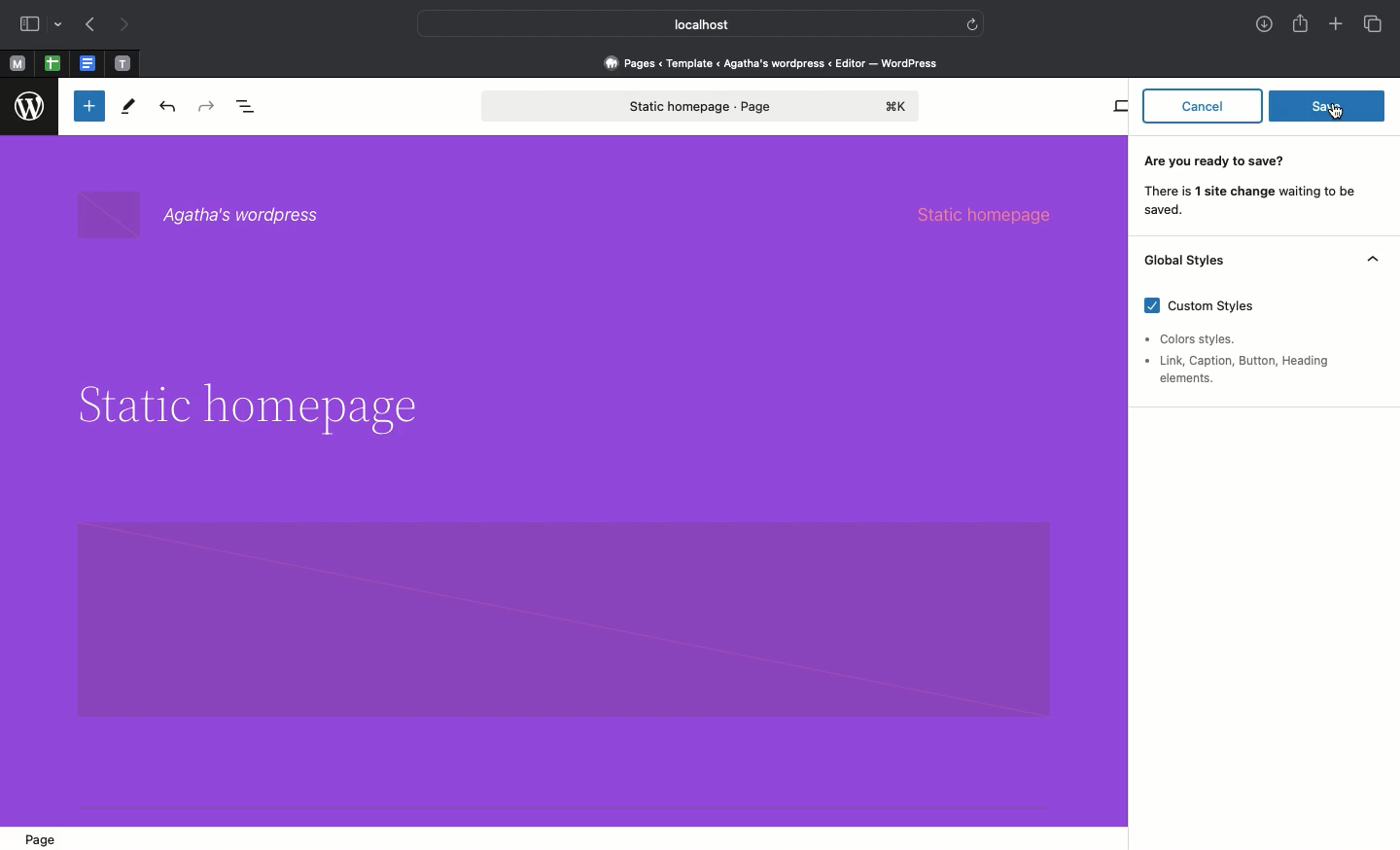 The width and height of the screenshot is (1400, 850). I want to click on cursor, so click(1336, 111).